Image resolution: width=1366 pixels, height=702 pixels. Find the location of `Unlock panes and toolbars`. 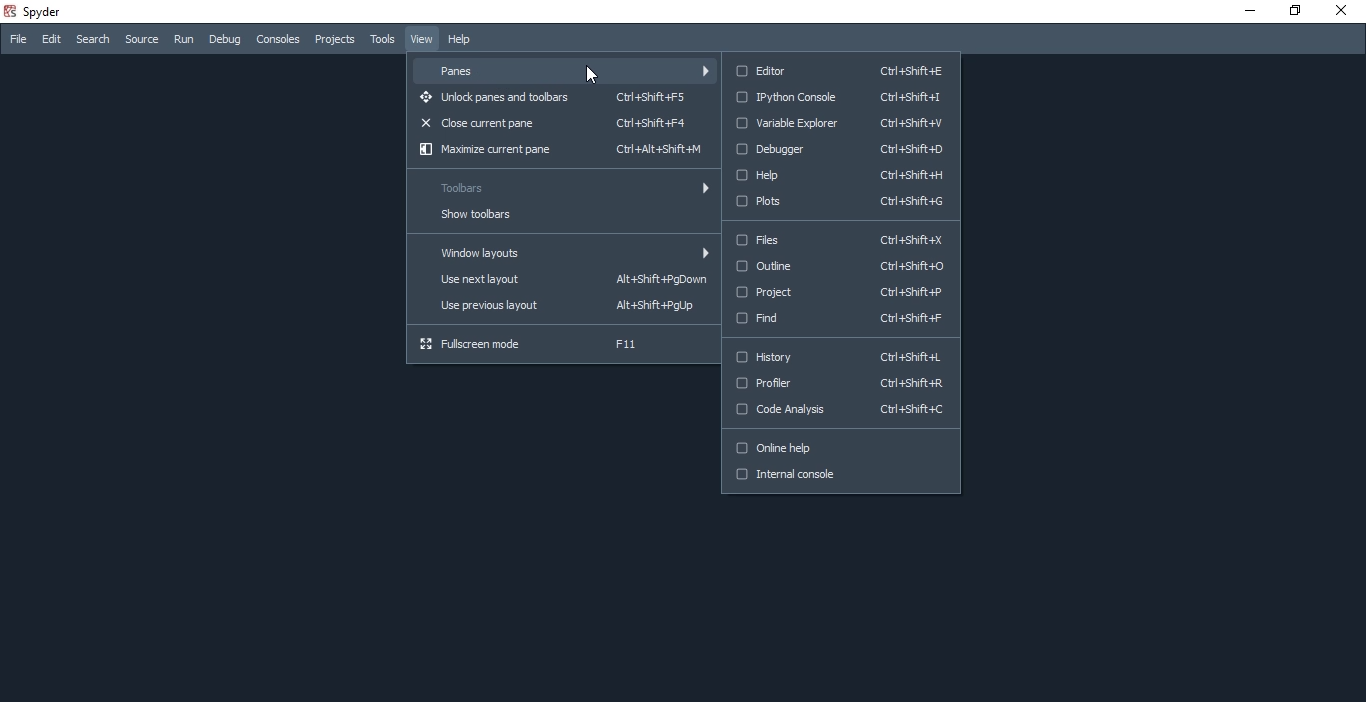

Unlock panes and toolbars is located at coordinates (562, 99).